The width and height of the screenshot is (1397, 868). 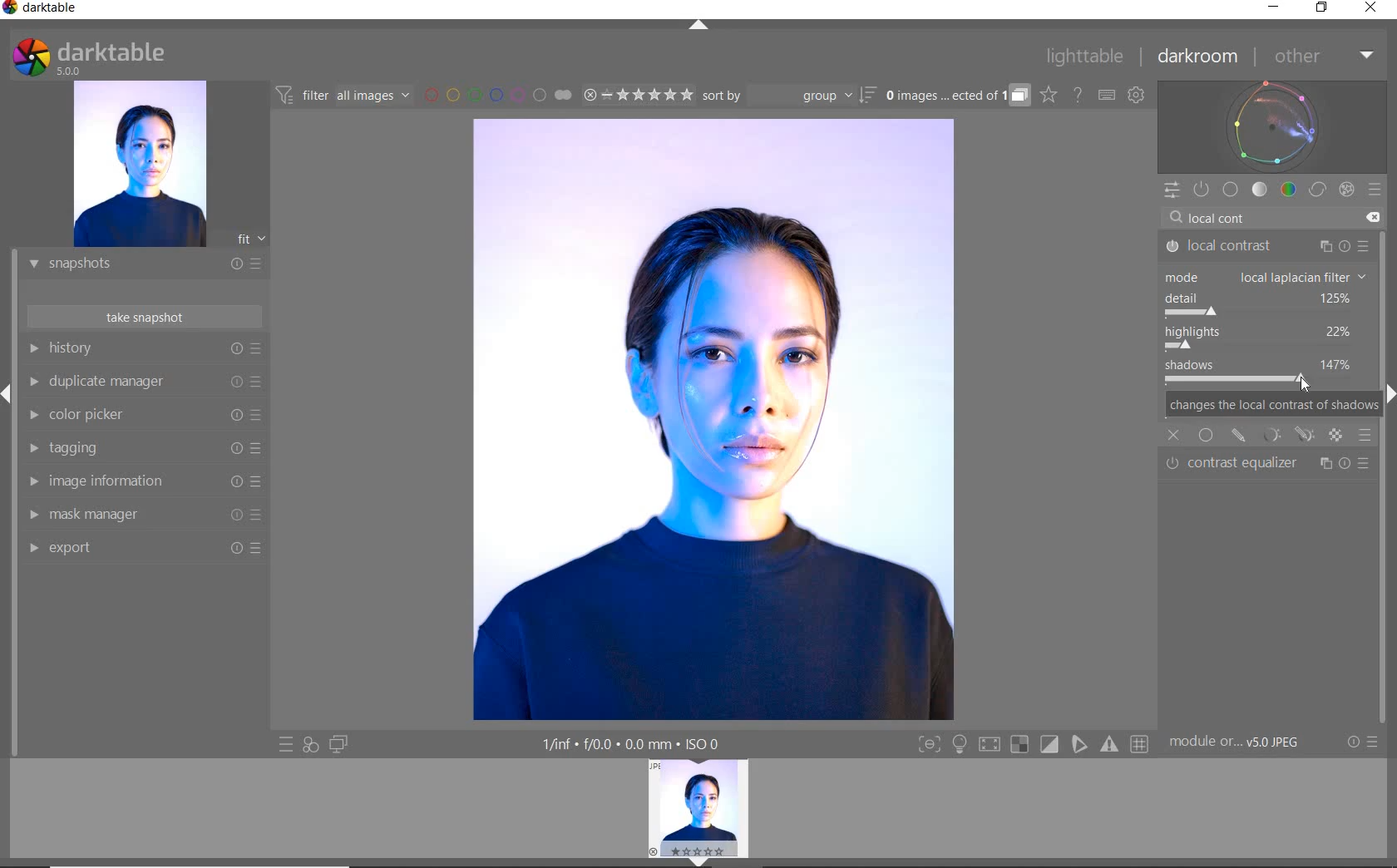 What do you see at coordinates (1266, 374) in the screenshot?
I see `contrast` at bounding box center [1266, 374].